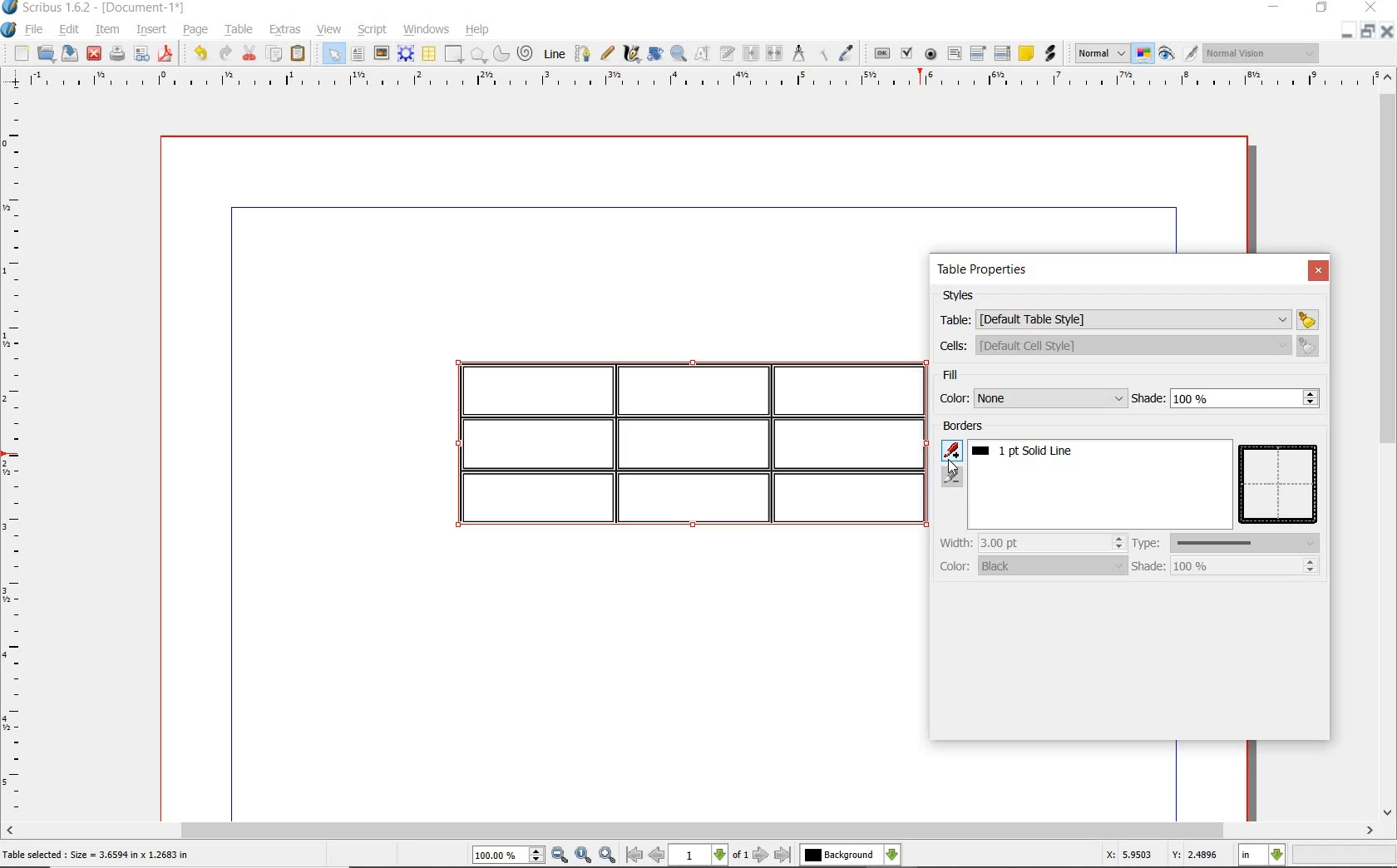 The width and height of the screenshot is (1397, 868). I want to click on RESTORE, so click(1369, 30).